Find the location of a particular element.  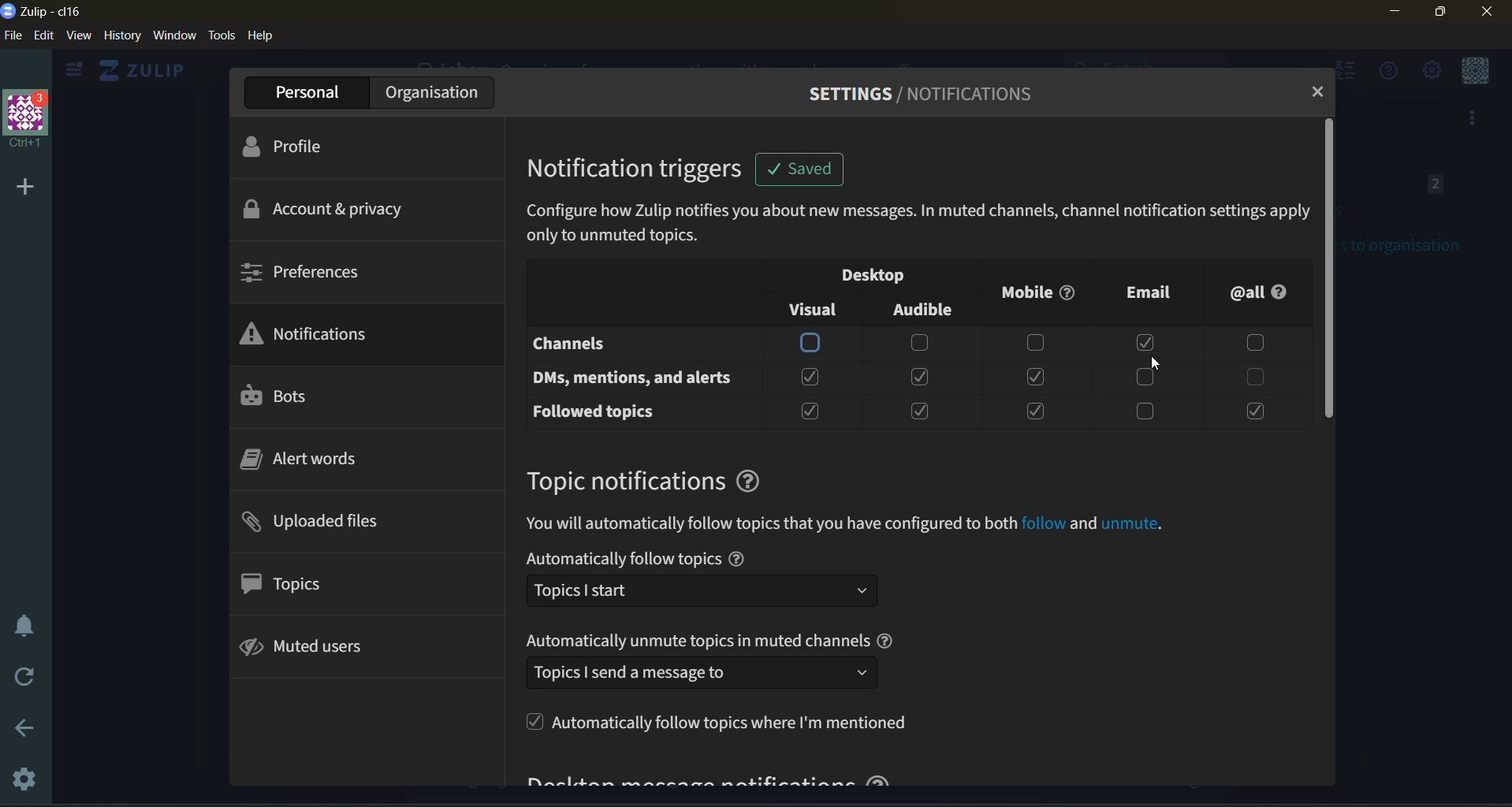

preferences is located at coordinates (308, 270).